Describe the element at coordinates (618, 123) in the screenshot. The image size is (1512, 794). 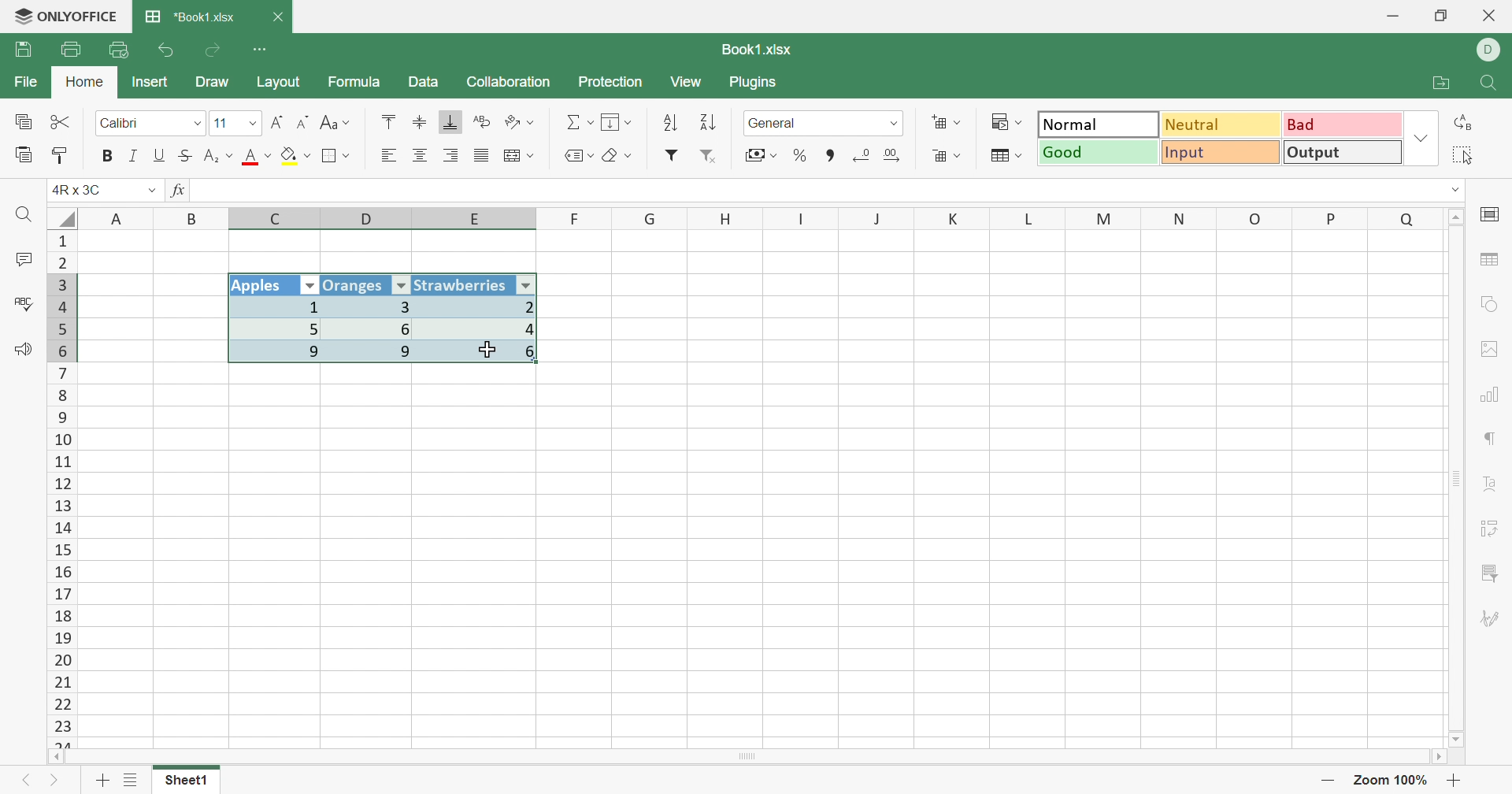
I see `Fill` at that location.